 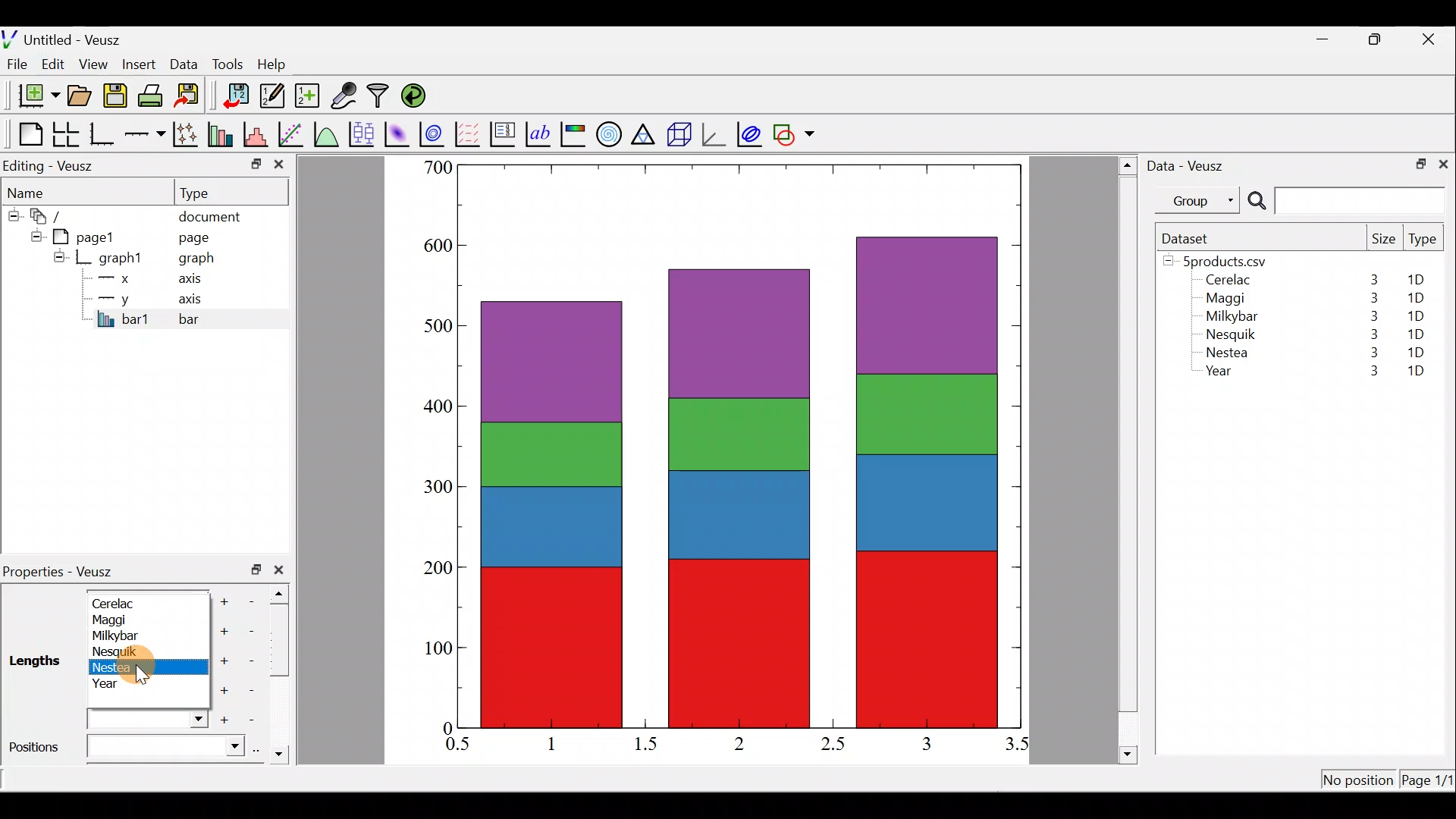 What do you see at coordinates (222, 133) in the screenshot?
I see `Plot bar charts` at bounding box center [222, 133].